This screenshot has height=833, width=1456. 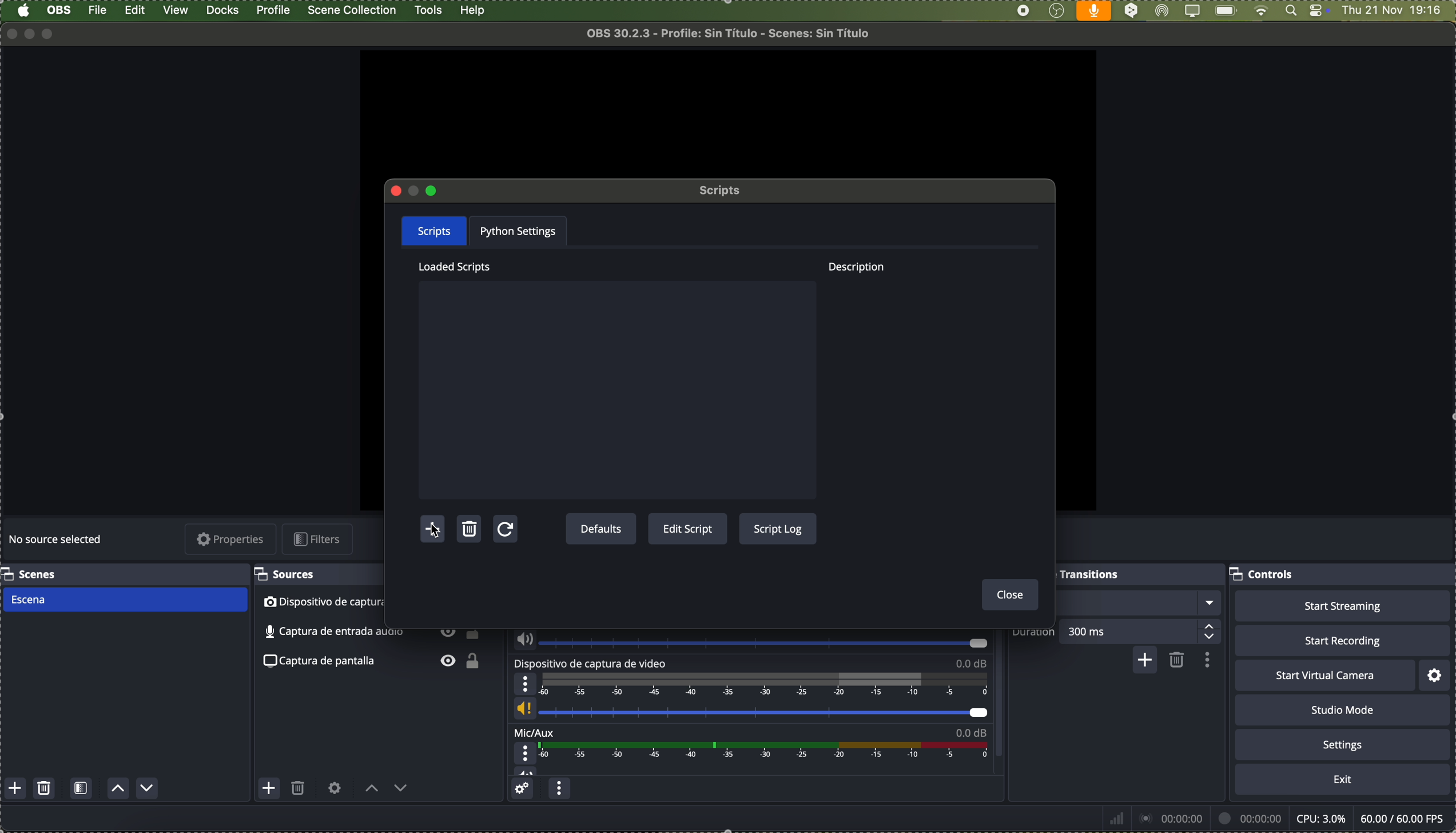 I want to click on move source down, so click(x=399, y=791).